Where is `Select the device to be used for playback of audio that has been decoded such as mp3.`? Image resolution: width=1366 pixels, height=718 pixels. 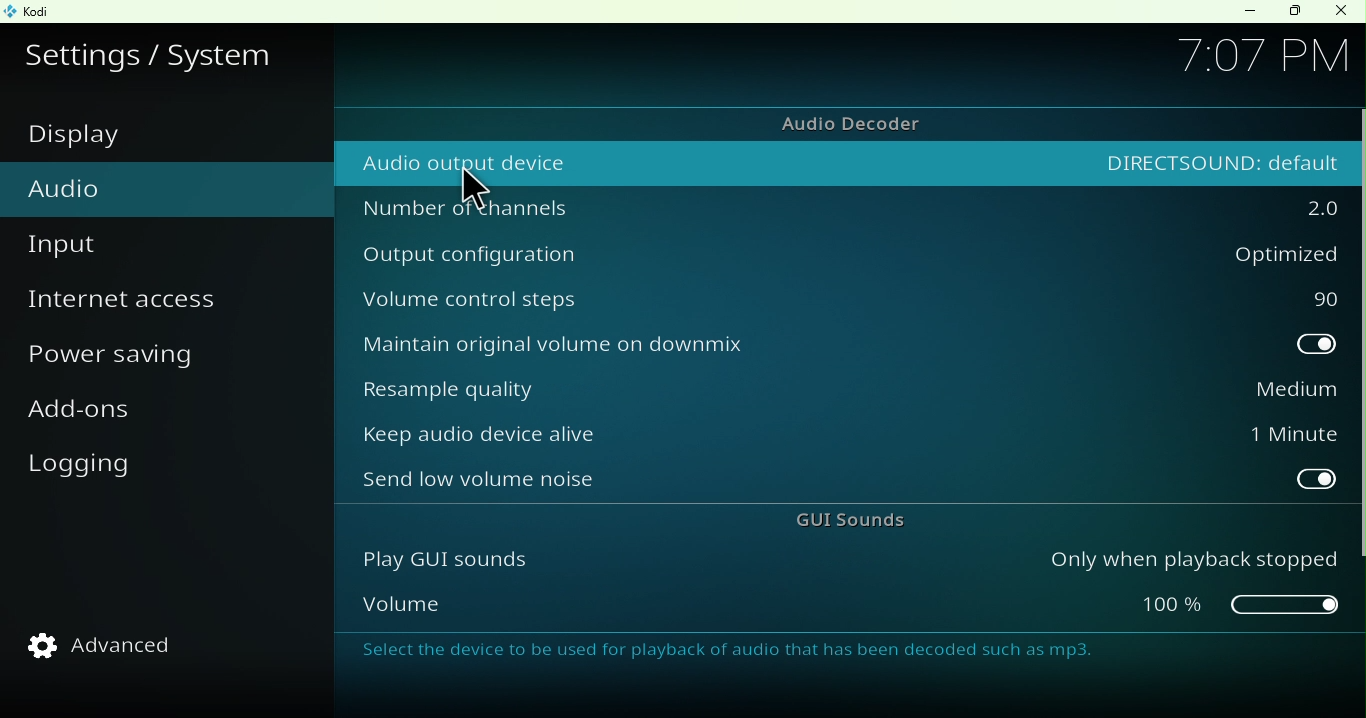 Select the device to be used for playback of audio that has been decoded such as mp3. is located at coordinates (827, 651).